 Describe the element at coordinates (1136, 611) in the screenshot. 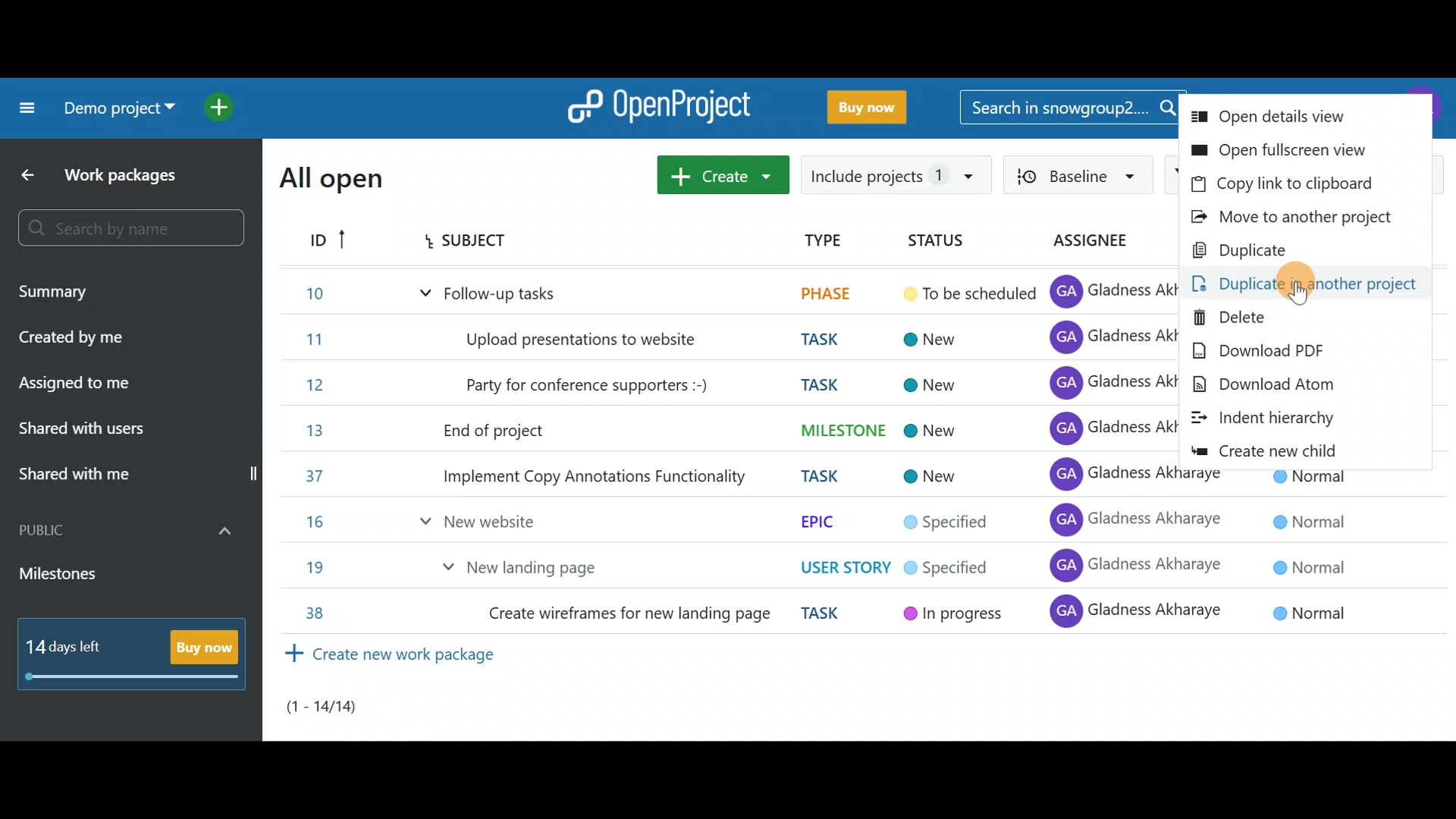

I see `GA Gladness Akharaye` at that location.